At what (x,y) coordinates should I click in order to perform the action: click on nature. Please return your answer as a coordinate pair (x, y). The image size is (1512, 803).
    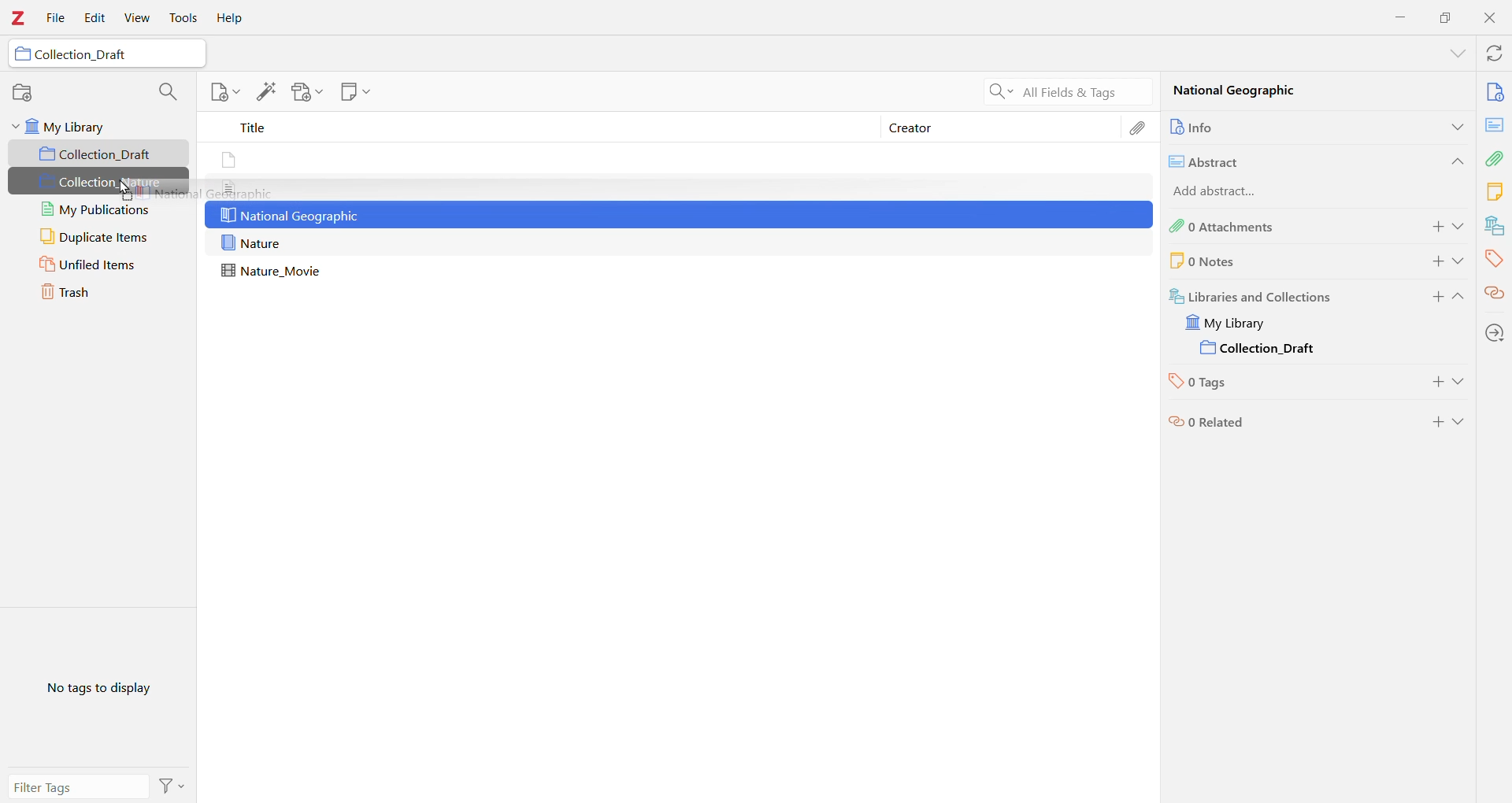
    Looking at the image, I should click on (254, 243).